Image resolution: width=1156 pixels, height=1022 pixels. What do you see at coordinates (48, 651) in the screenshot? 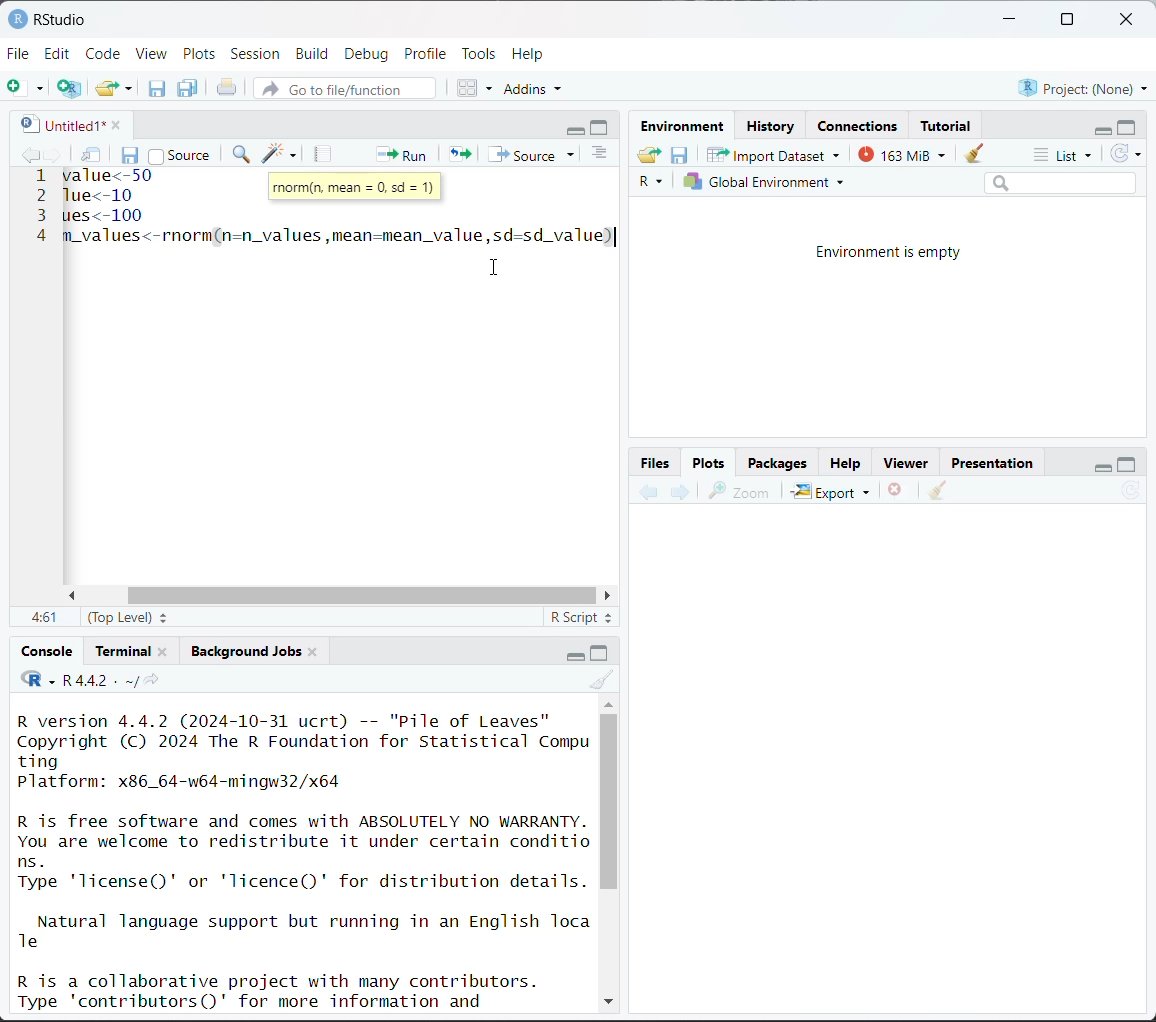
I see `Console` at bounding box center [48, 651].